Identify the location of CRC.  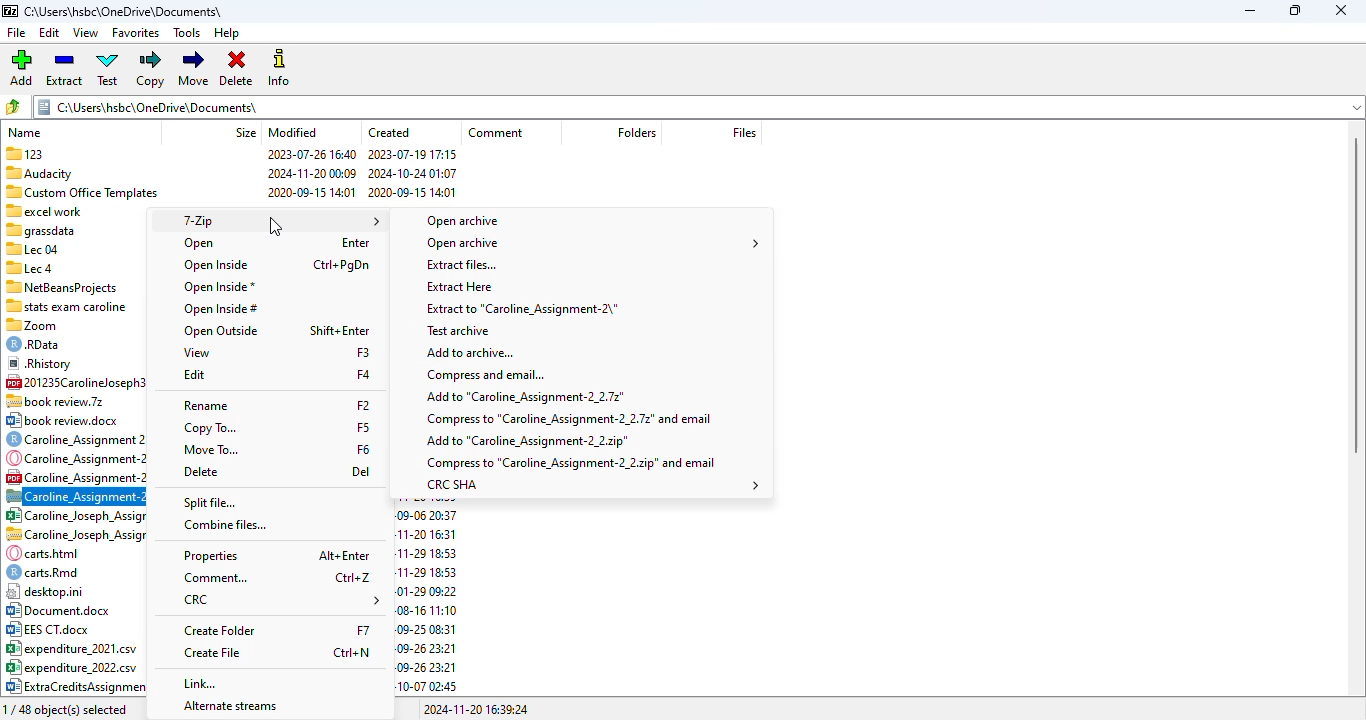
(282, 600).